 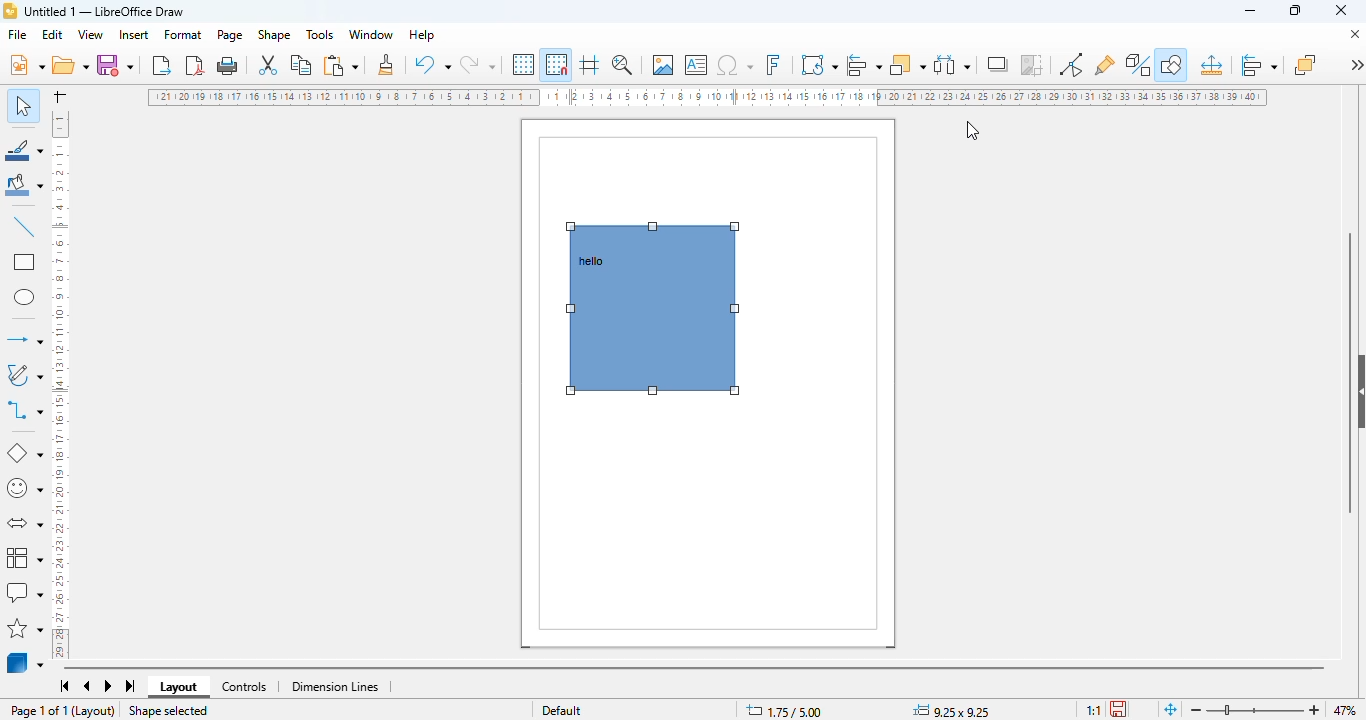 I want to click on line color, so click(x=25, y=149).